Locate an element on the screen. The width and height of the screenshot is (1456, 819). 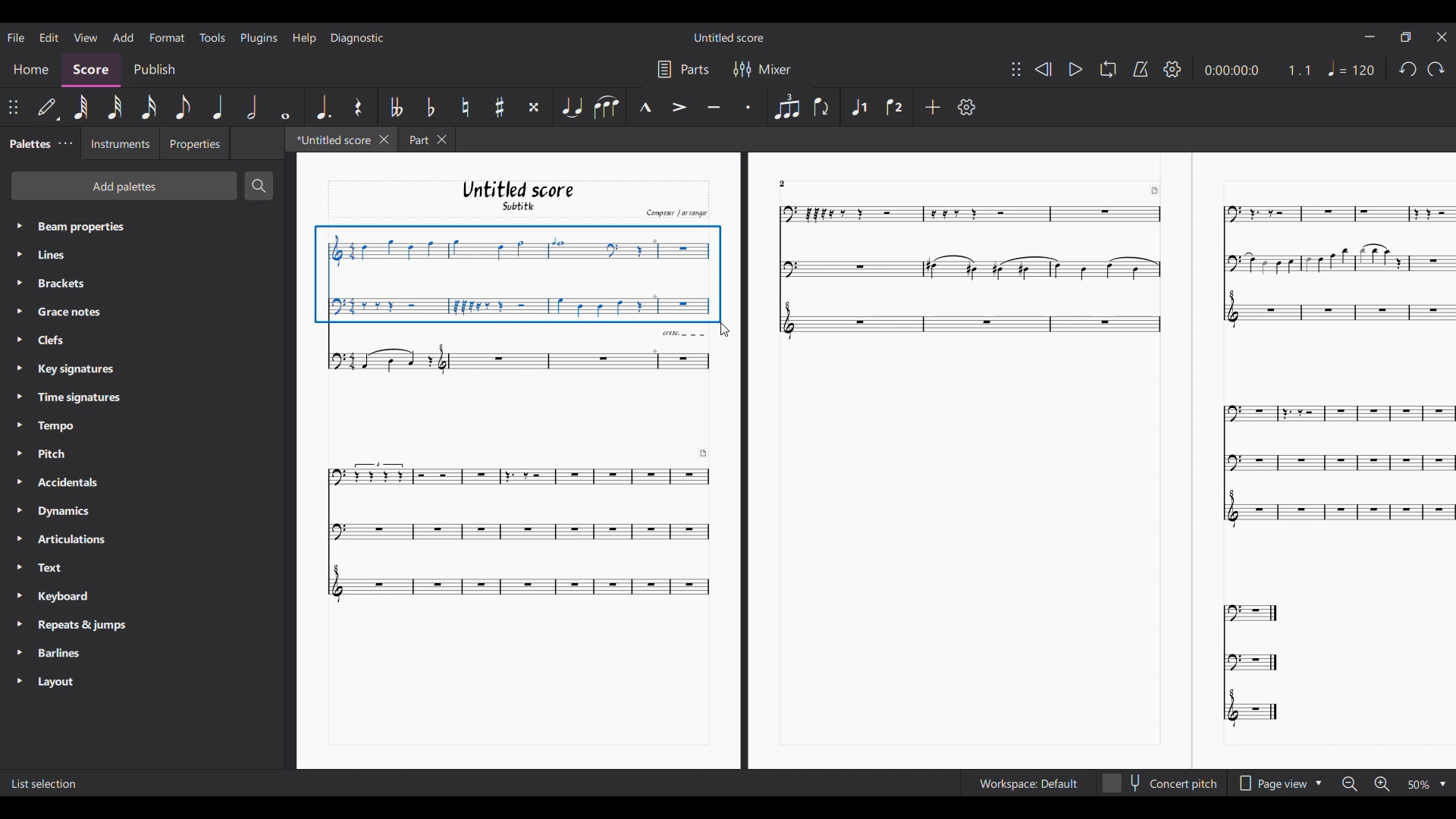
Close is located at coordinates (384, 140).